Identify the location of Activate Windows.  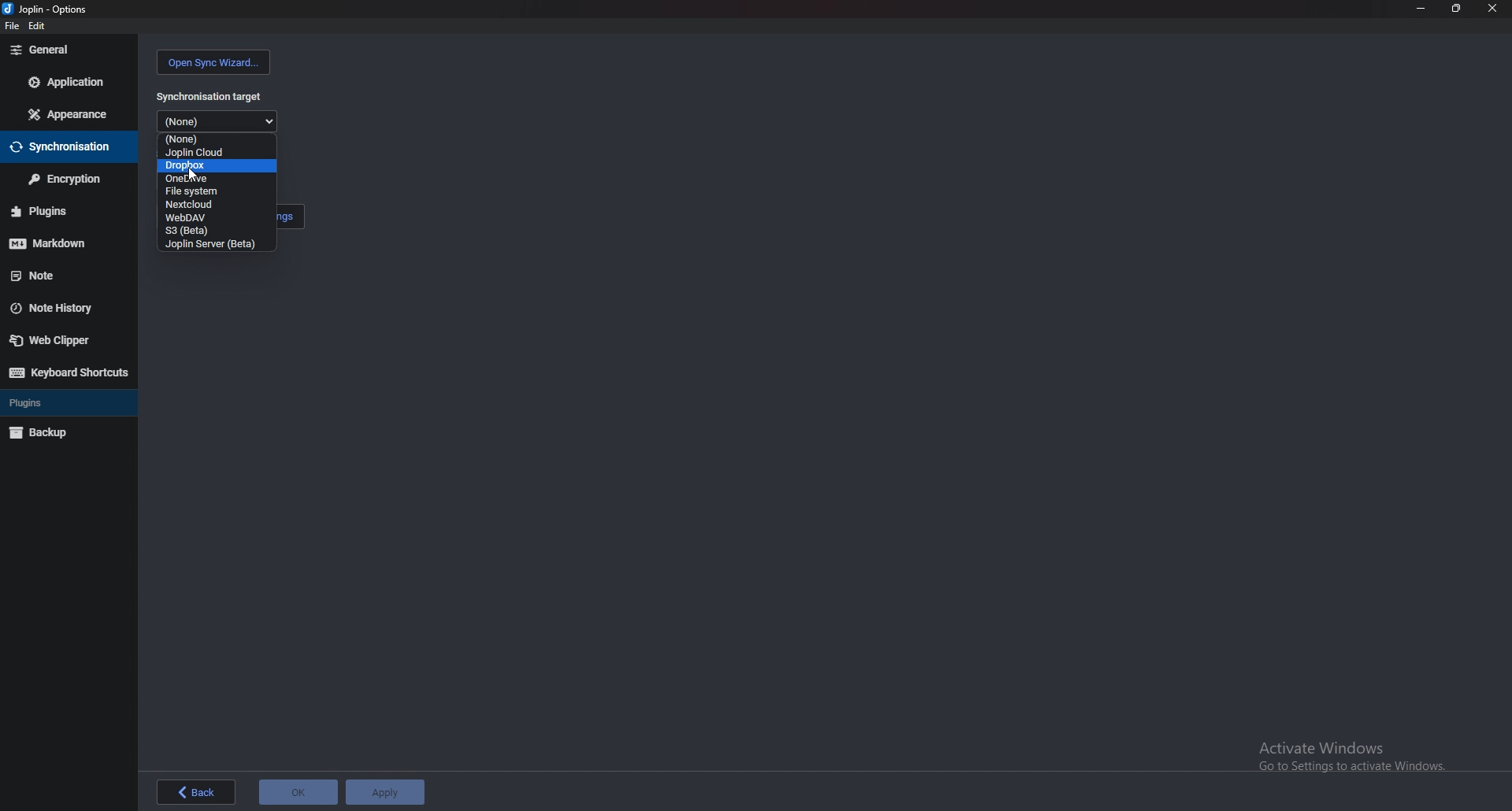
(1358, 757).